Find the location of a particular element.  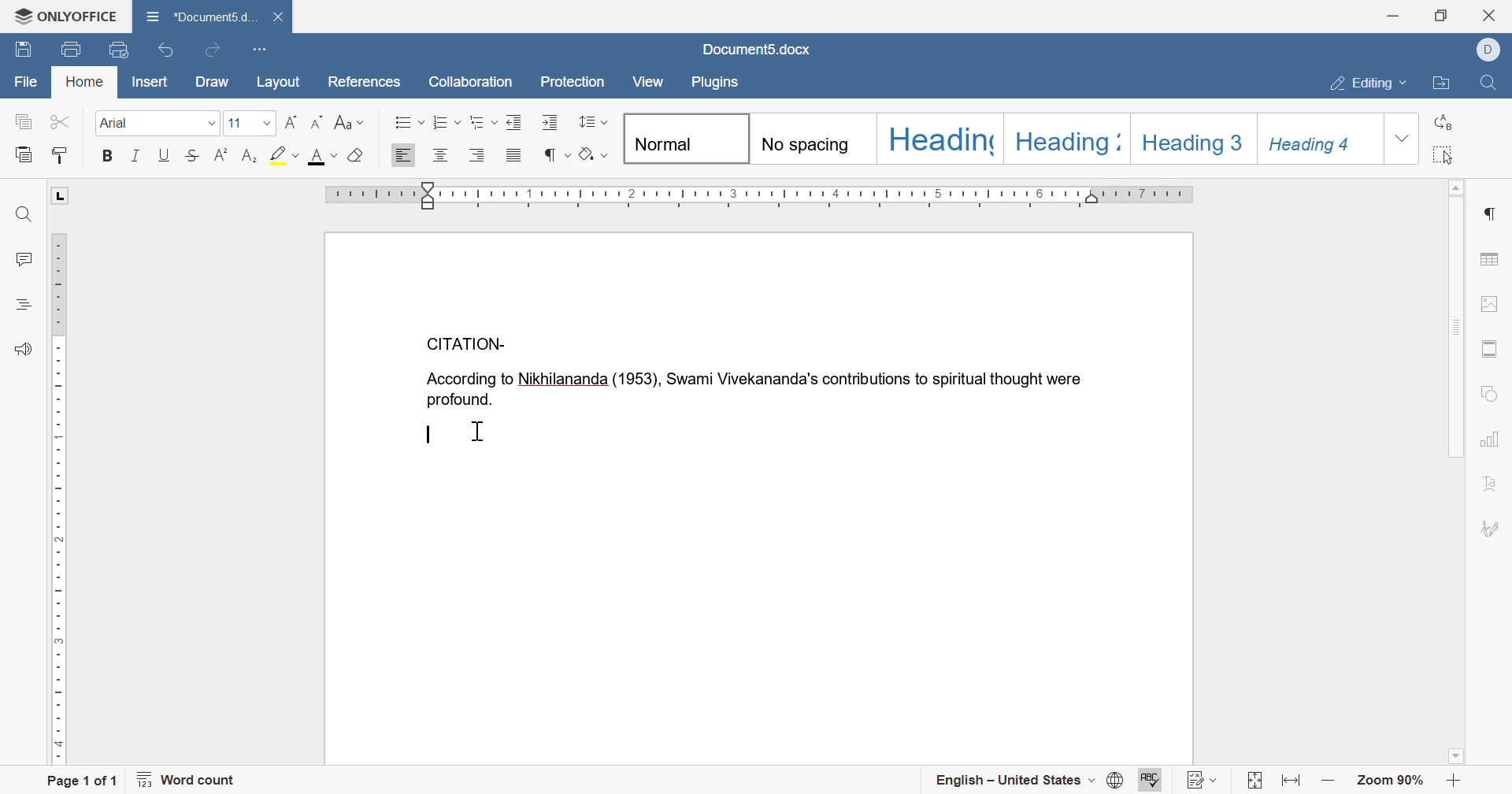

close is located at coordinates (278, 18).